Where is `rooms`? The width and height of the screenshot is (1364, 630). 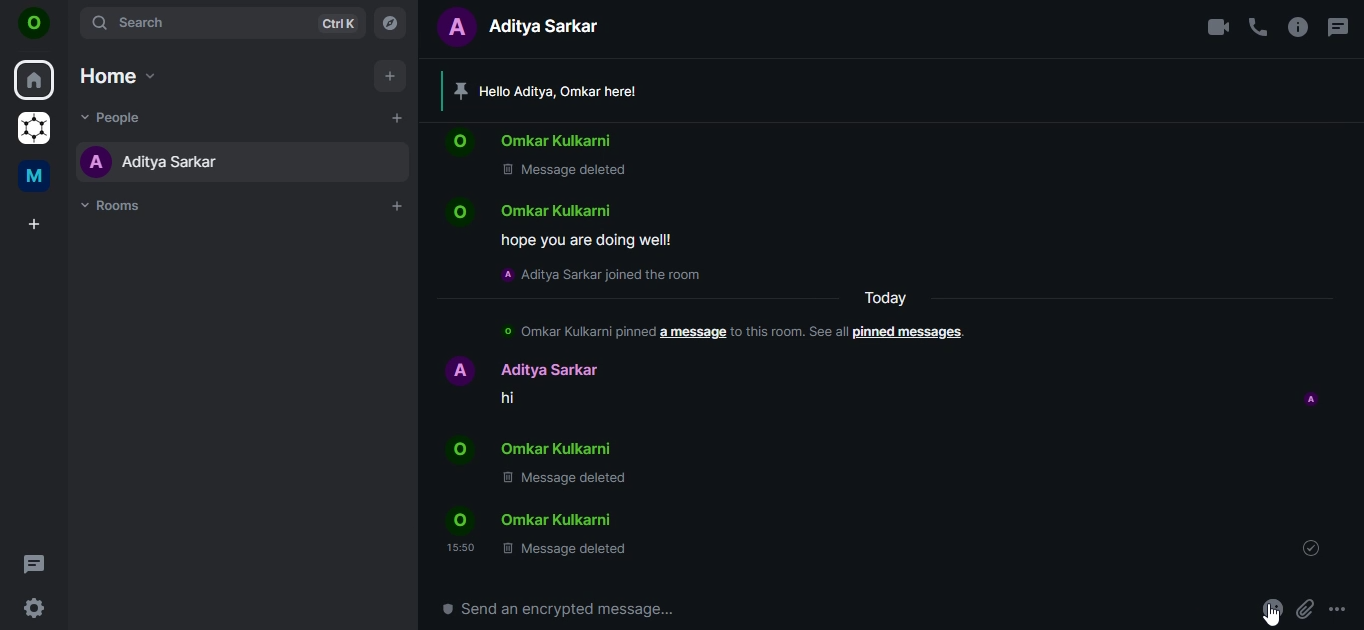 rooms is located at coordinates (116, 207).